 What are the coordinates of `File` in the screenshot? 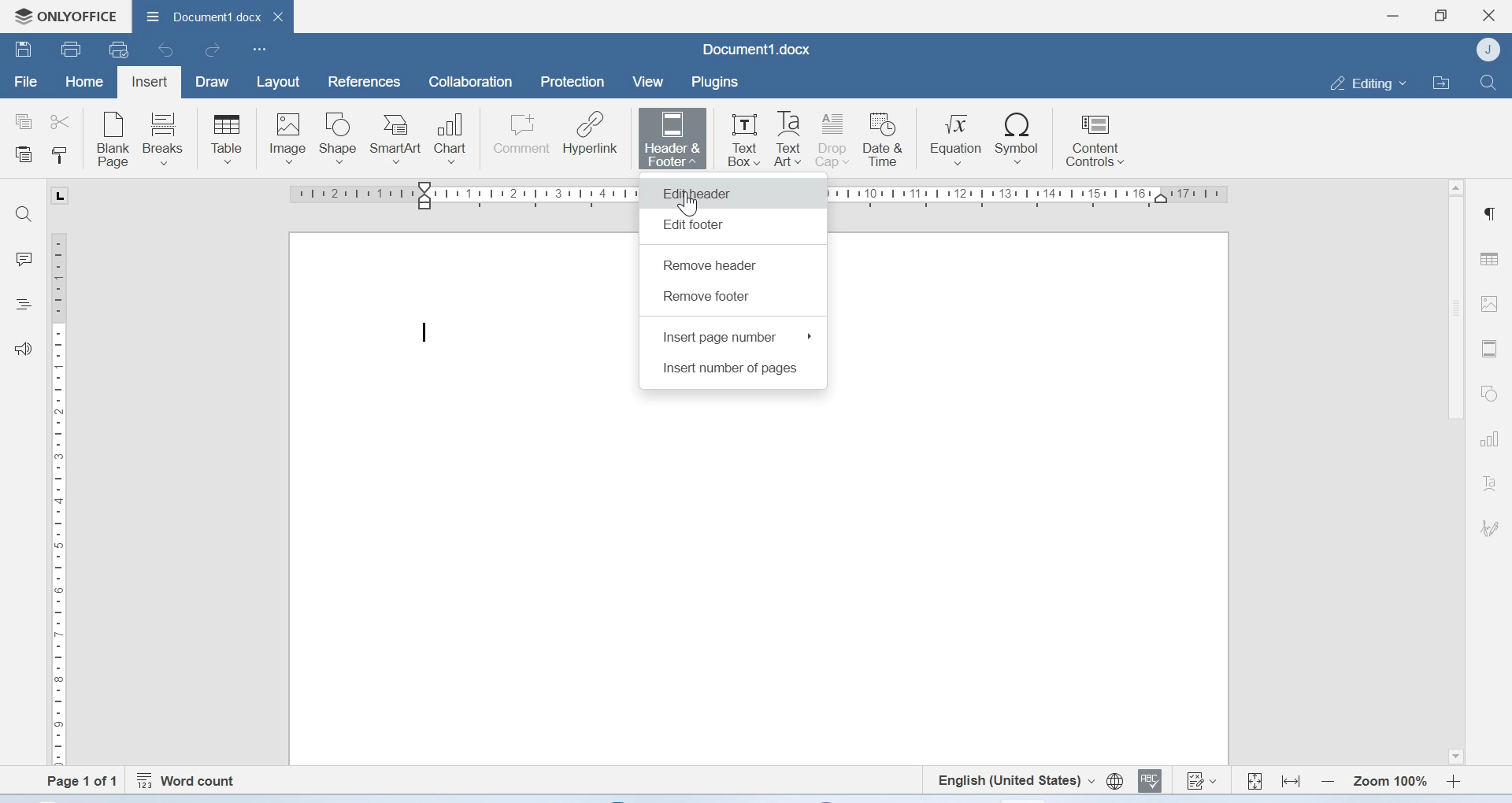 It's located at (24, 83).